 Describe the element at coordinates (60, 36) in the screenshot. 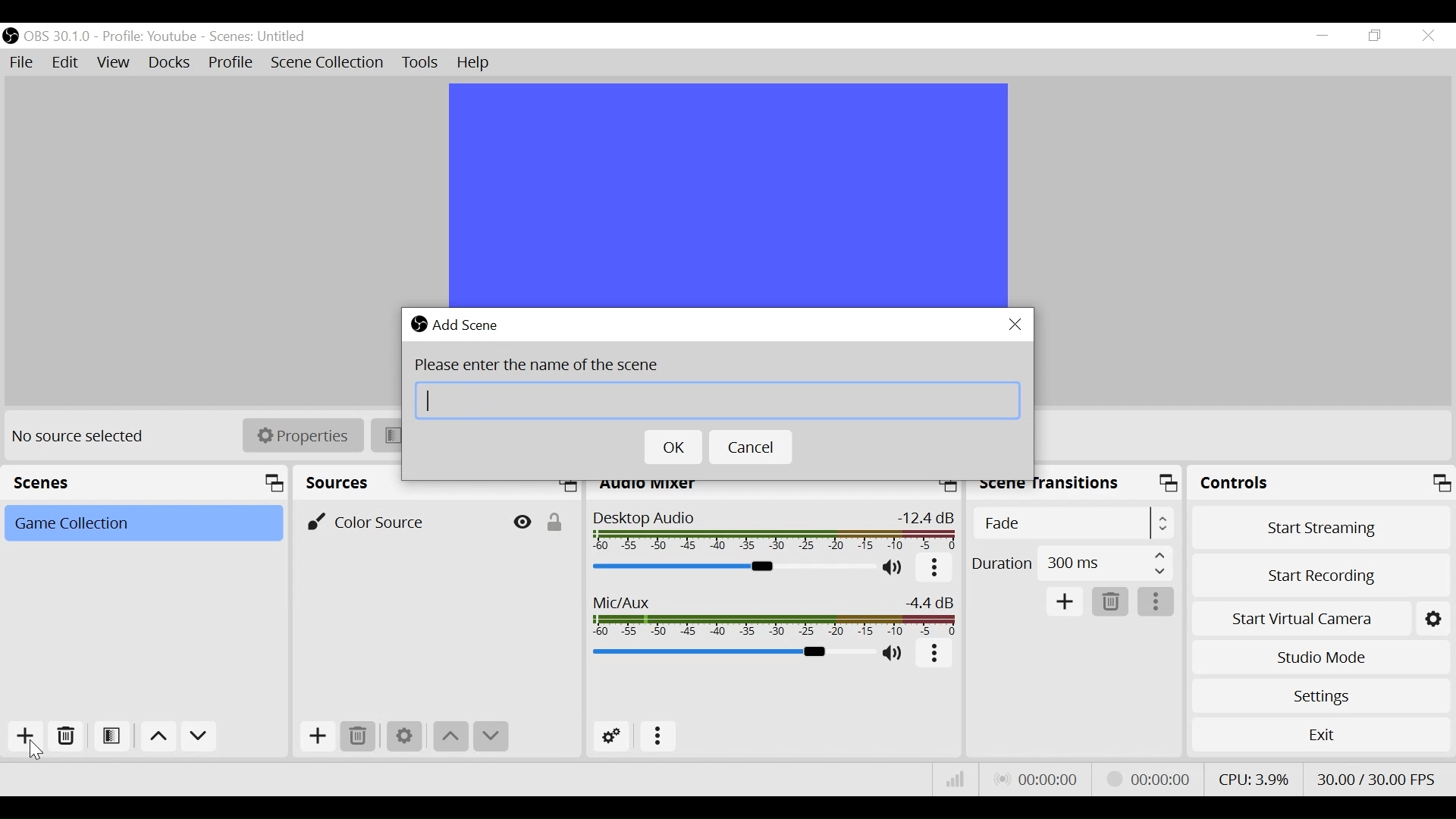

I see `OBS Version` at that location.